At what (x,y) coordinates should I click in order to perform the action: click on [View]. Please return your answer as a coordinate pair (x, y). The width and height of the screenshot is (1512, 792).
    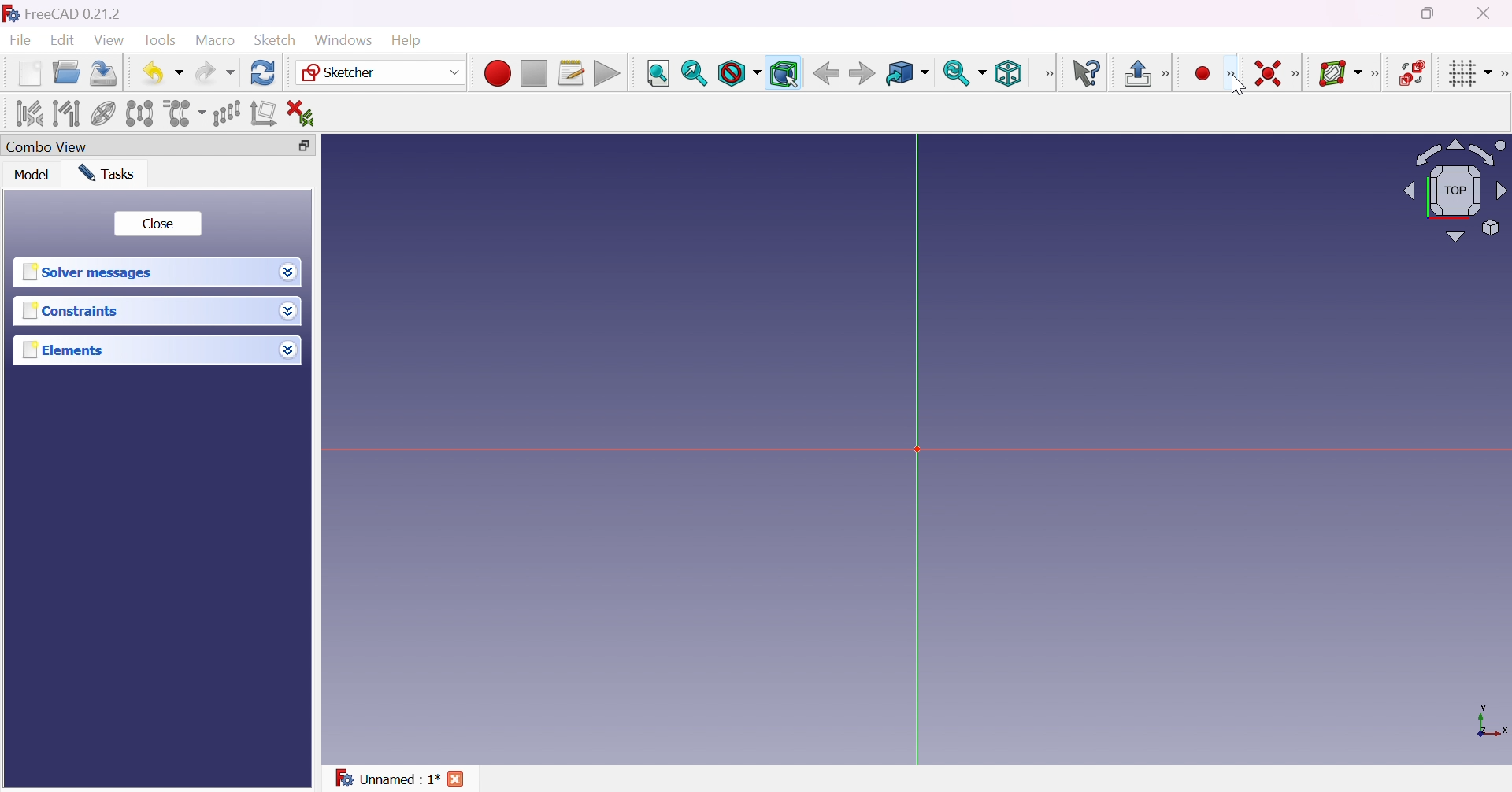
    Looking at the image, I should click on (1048, 74).